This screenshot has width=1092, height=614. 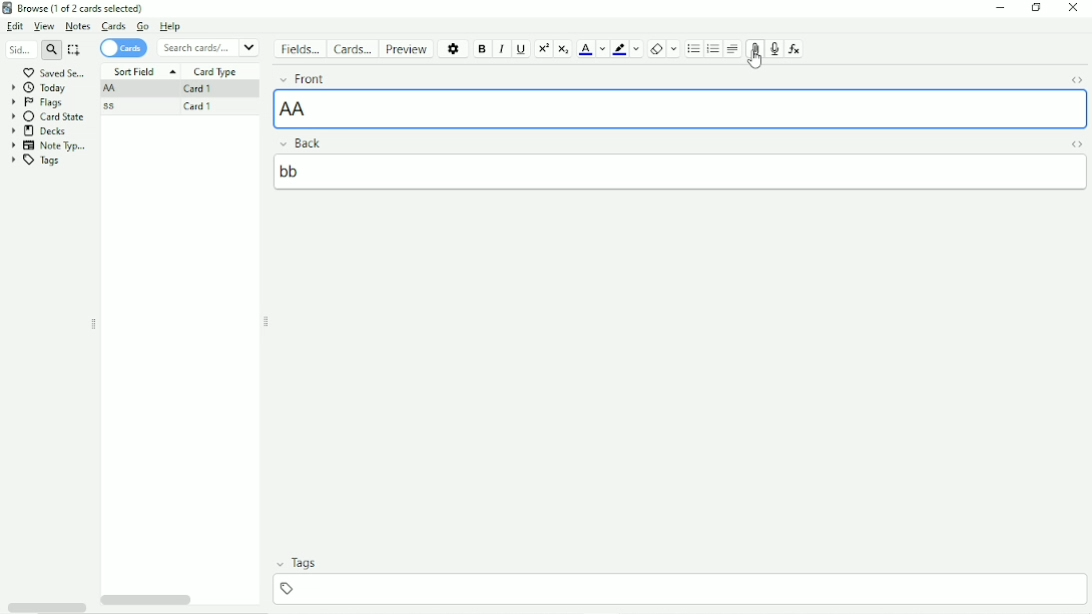 What do you see at coordinates (655, 50) in the screenshot?
I see `Remove formatting` at bounding box center [655, 50].